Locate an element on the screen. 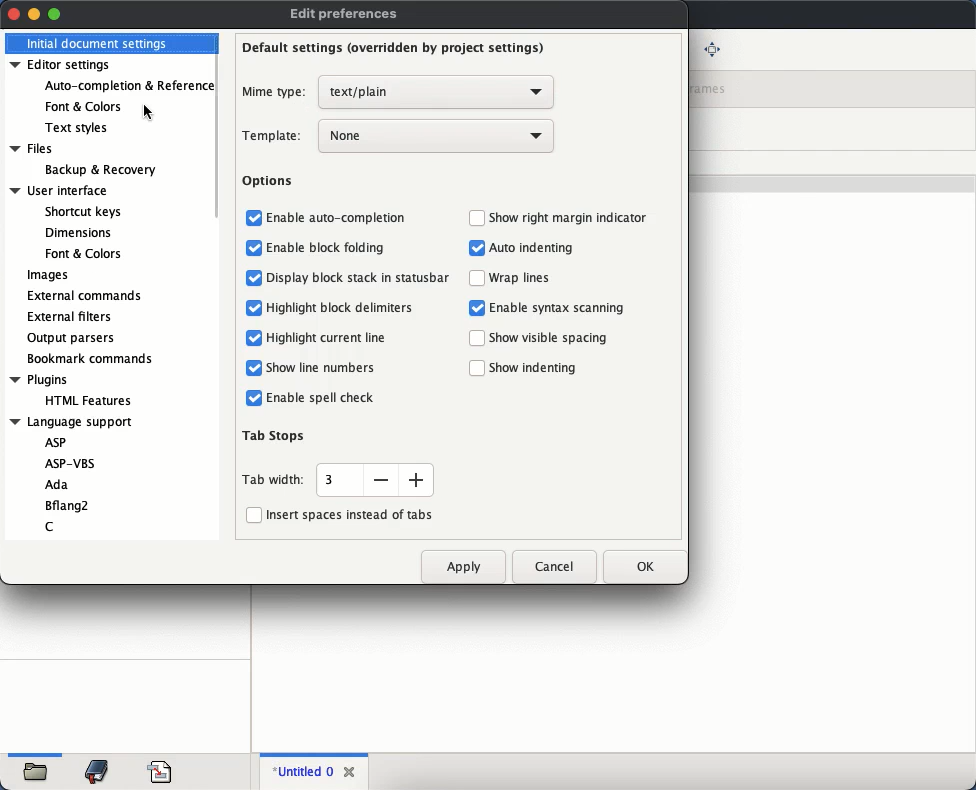  highlight block delimiters is located at coordinates (330, 308).